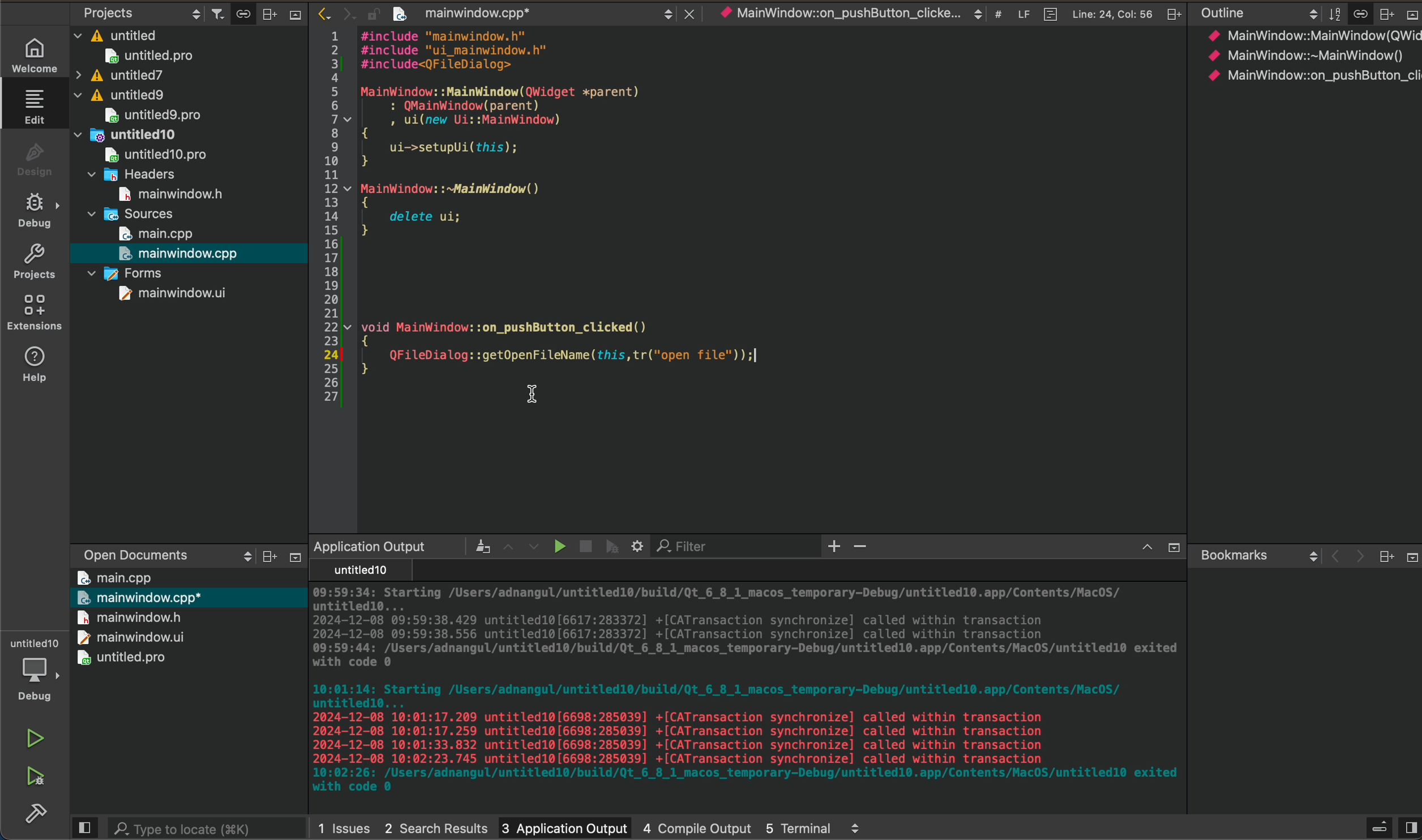 This screenshot has width=1422, height=840. What do you see at coordinates (1410, 822) in the screenshot?
I see `split` at bounding box center [1410, 822].